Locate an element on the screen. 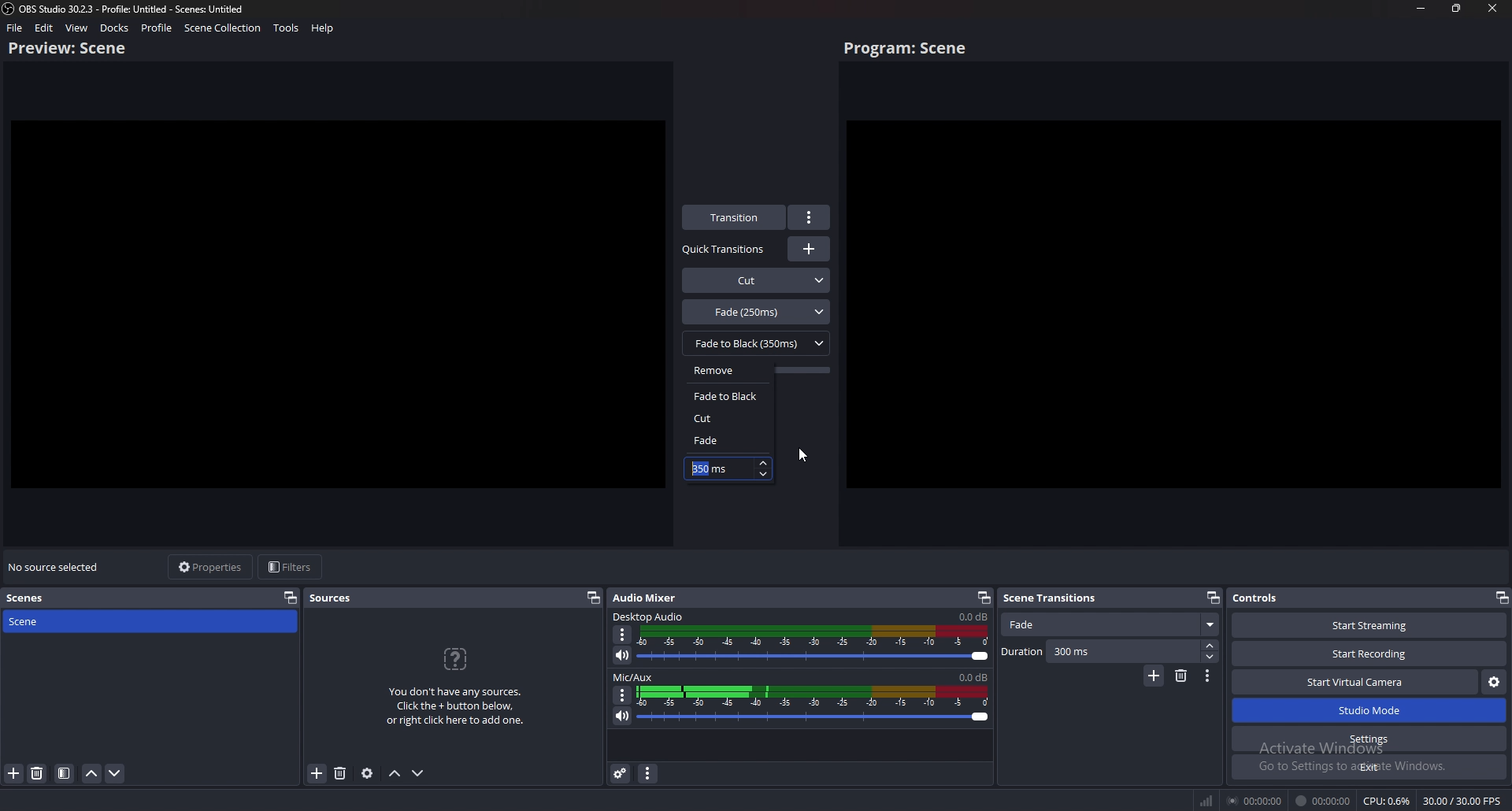  fade to black is located at coordinates (729, 395).